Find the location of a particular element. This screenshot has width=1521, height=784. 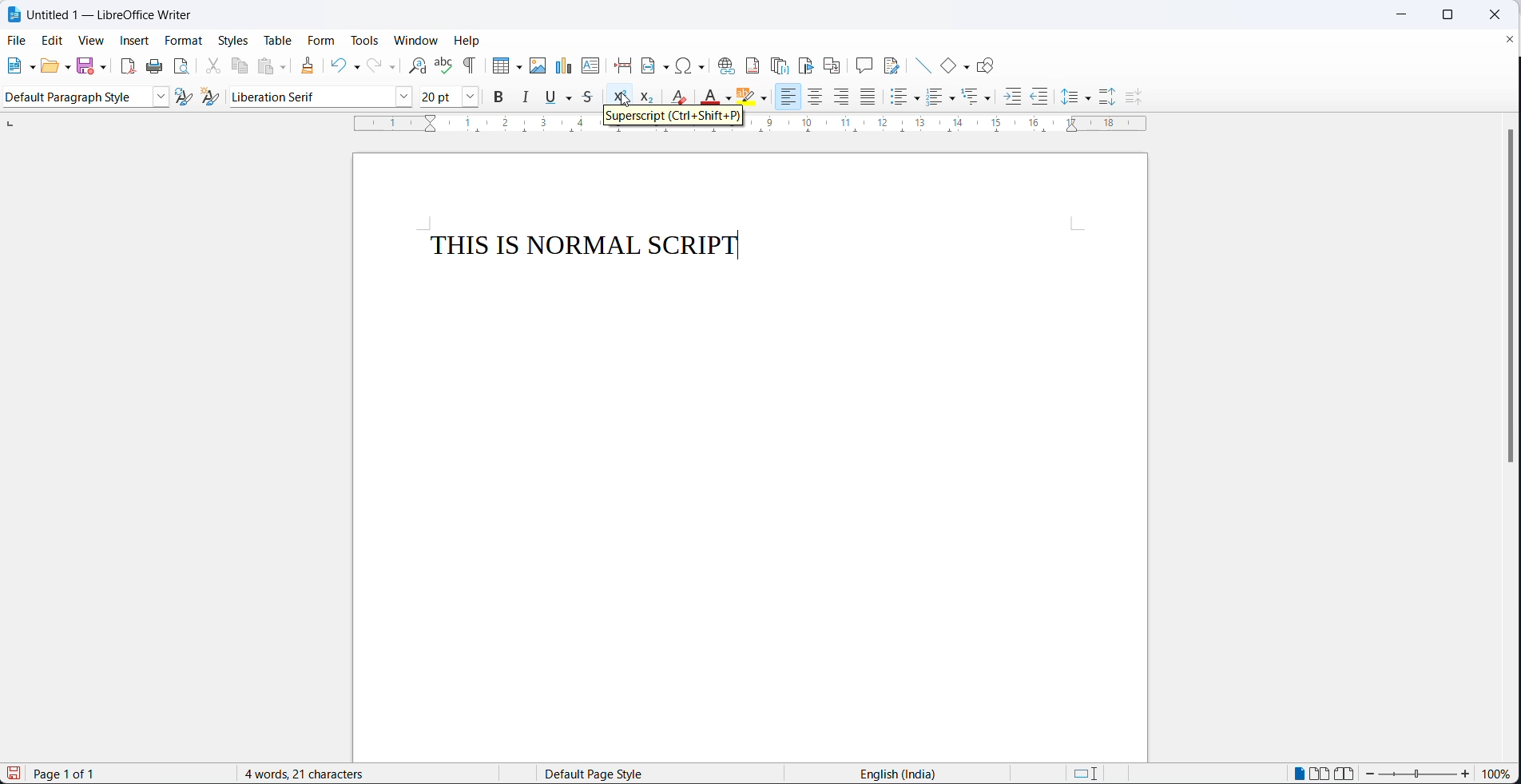

insert text is located at coordinates (590, 65).